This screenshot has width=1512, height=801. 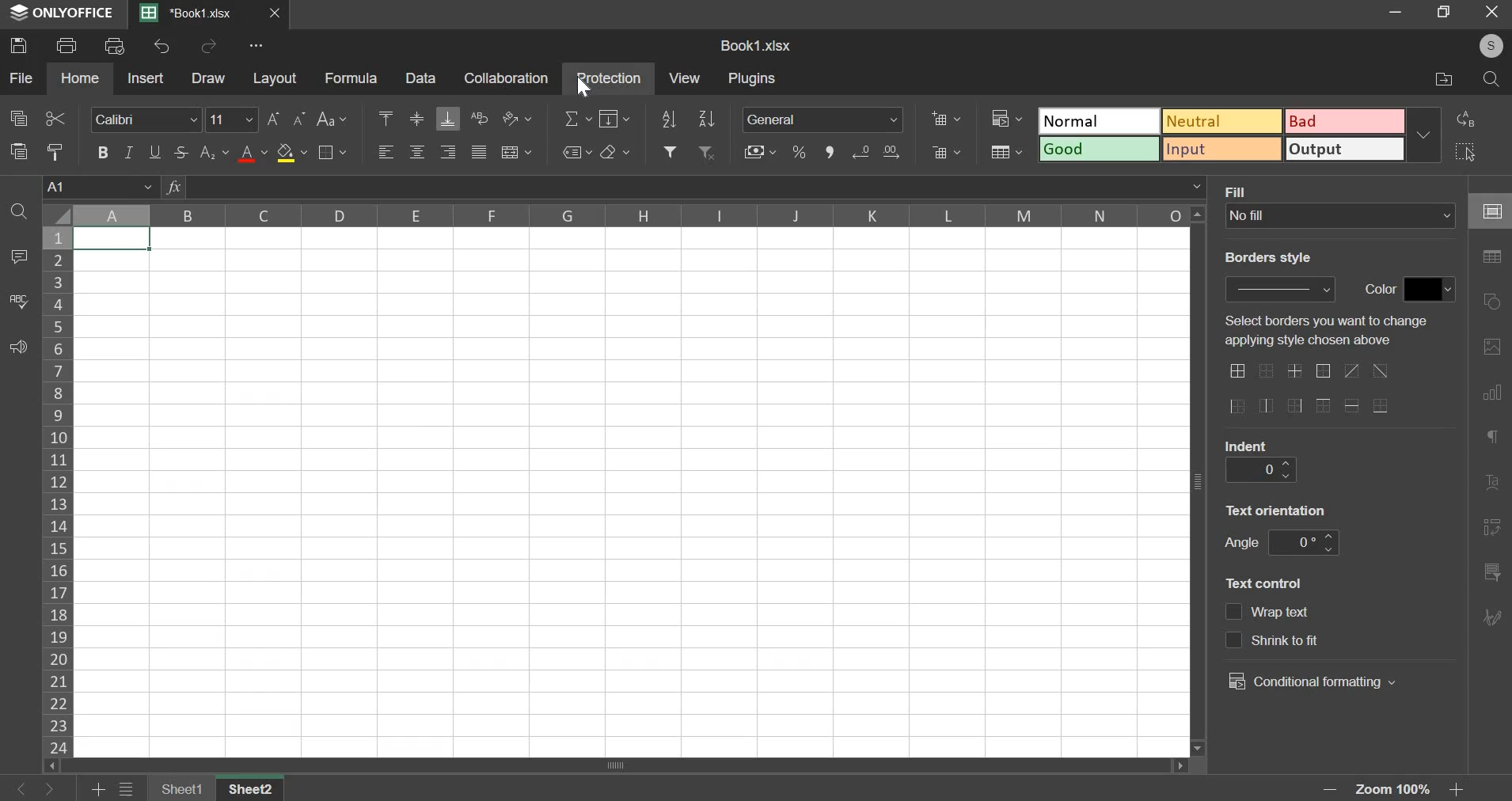 I want to click on increase & decrease decimals, so click(x=876, y=152).